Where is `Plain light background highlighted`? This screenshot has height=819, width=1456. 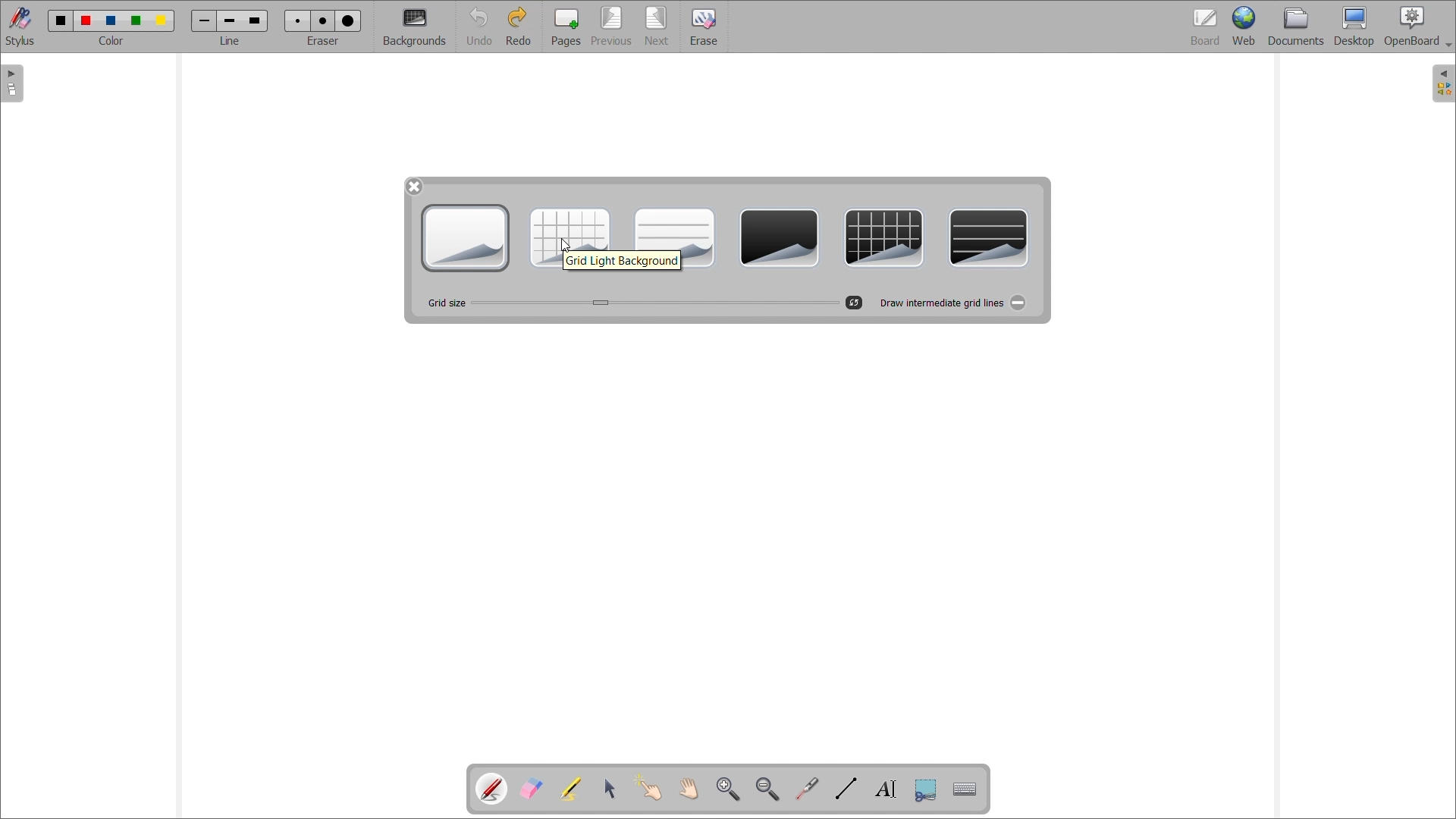
Plain light background highlighted is located at coordinates (466, 238).